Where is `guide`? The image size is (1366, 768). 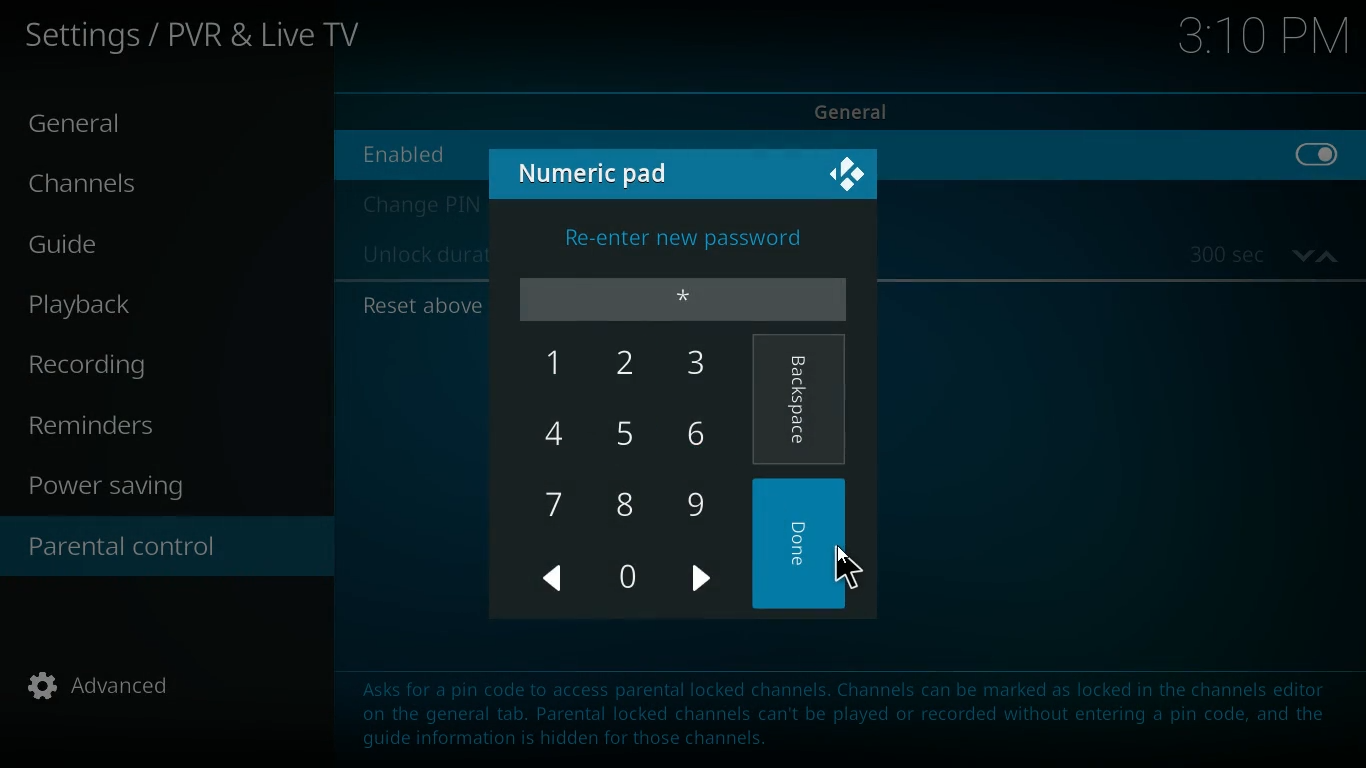
guide is located at coordinates (123, 247).